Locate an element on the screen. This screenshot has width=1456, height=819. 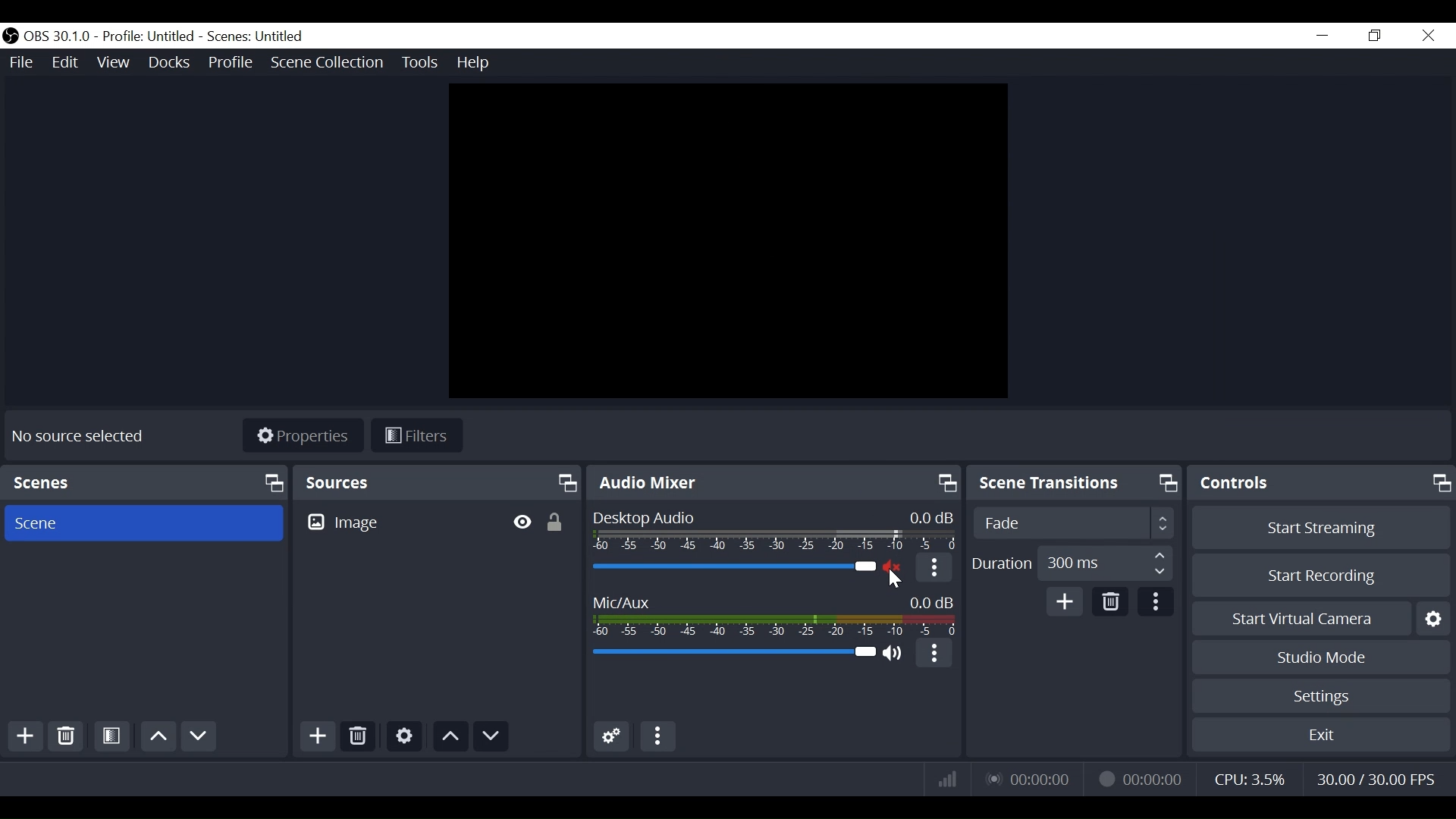
Edit is located at coordinates (64, 64).